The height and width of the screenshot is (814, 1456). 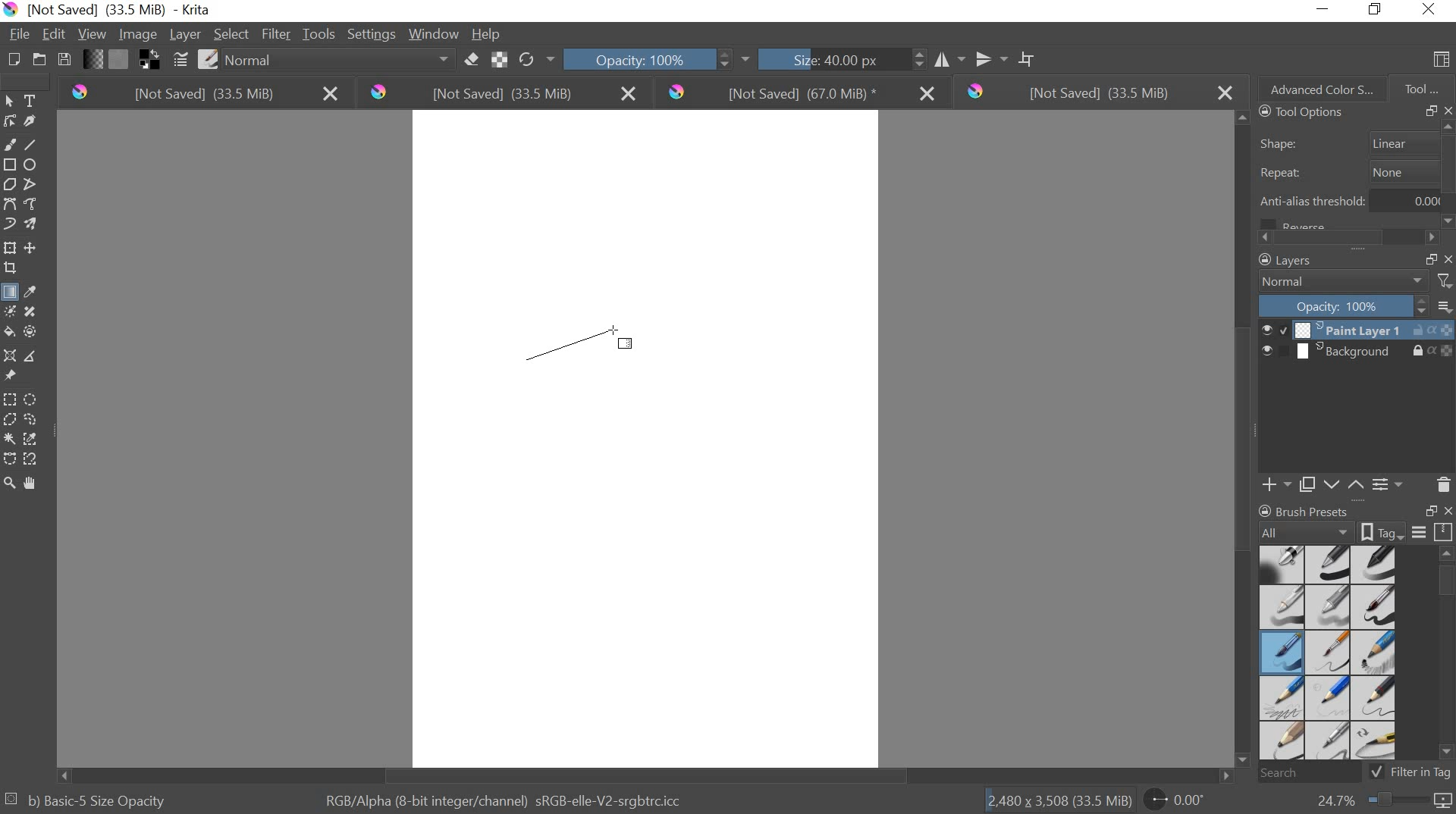 What do you see at coordinates (338, 61) in the screenshot?
I see `normal` at bounding box center [338, 61].